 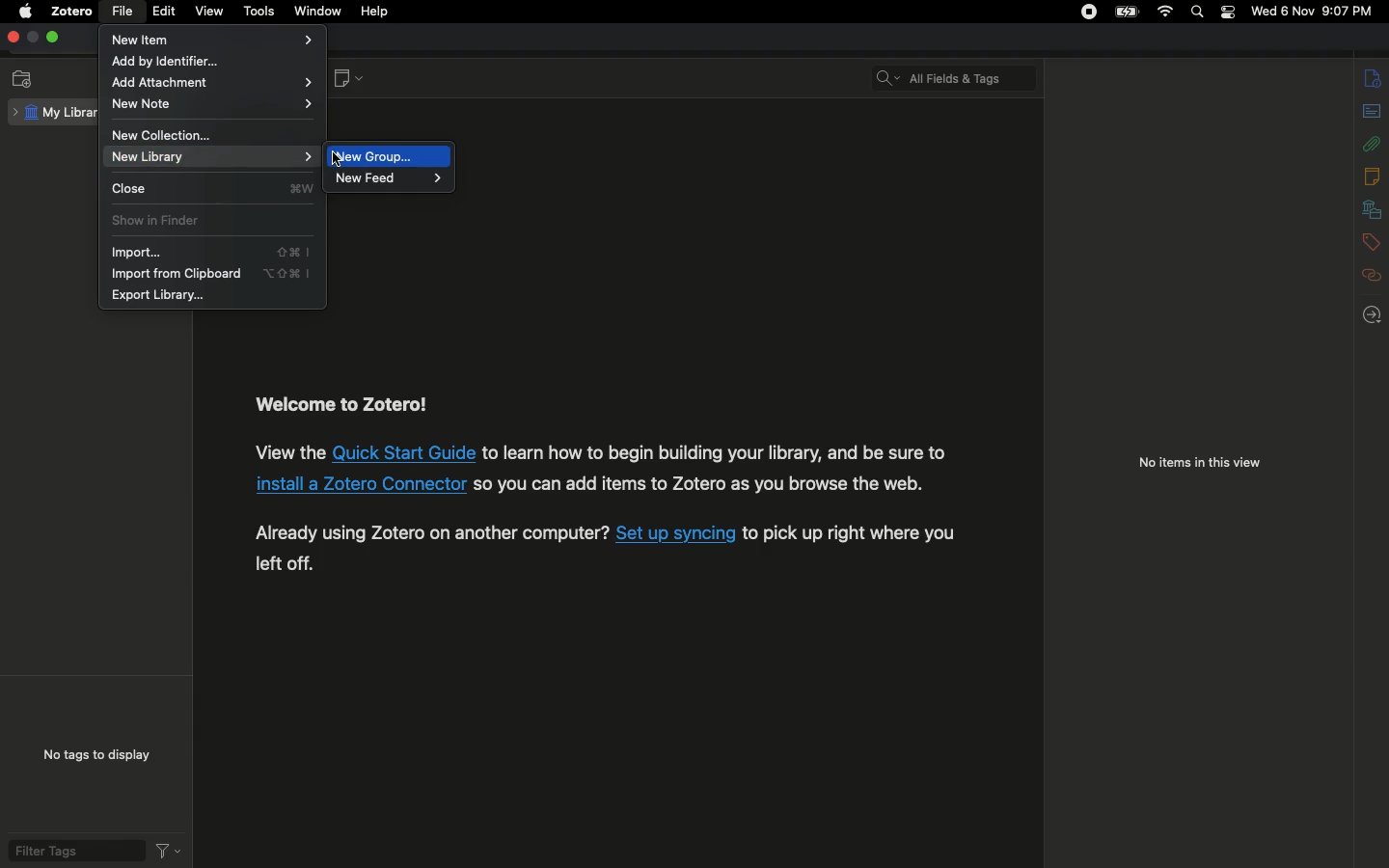 I want to click on Date/time, so click(x=1316, y=12).